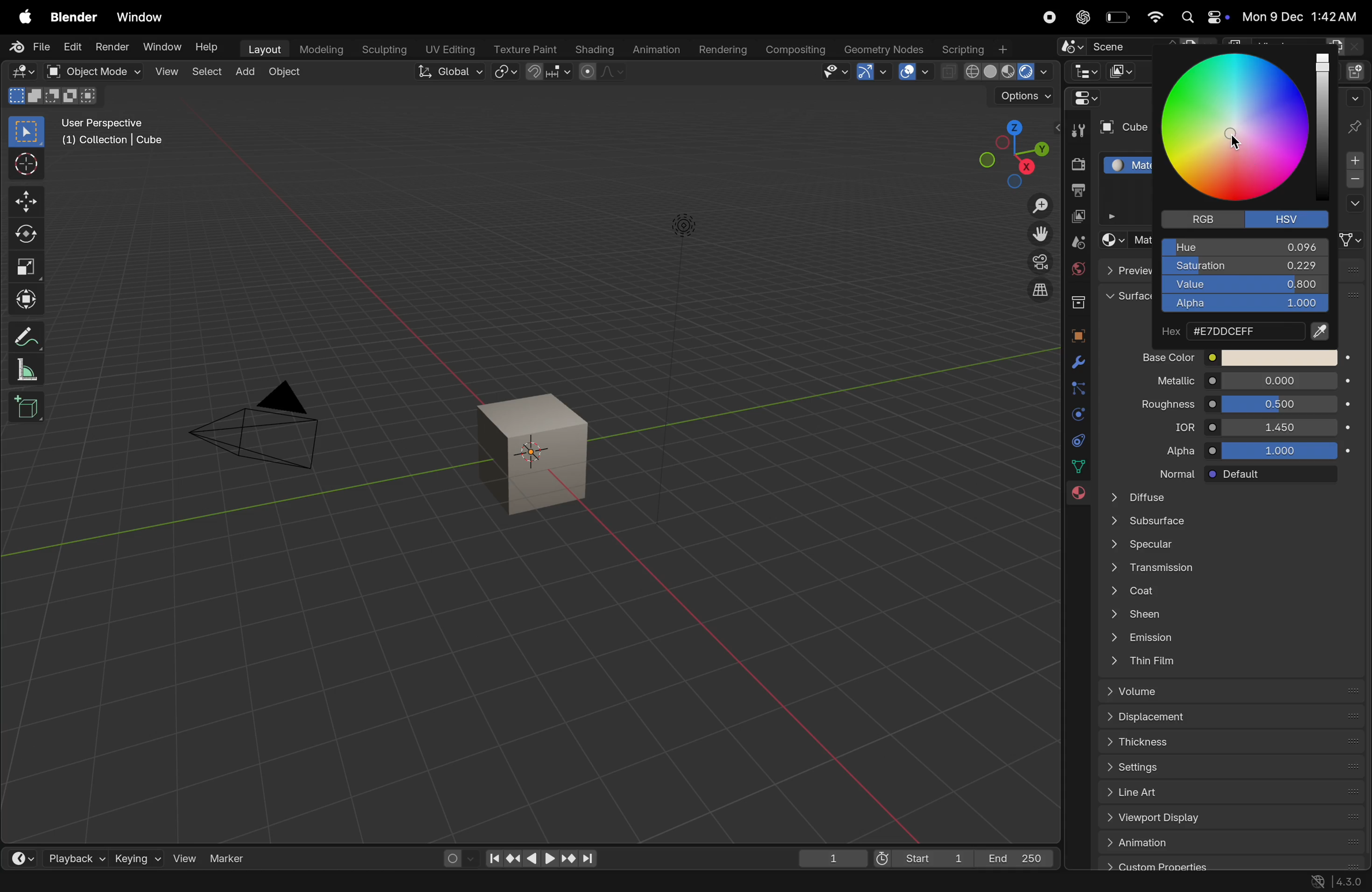 The width and height of the screenshot is (1372, 892). I want to click on scale, so click(25, 266).